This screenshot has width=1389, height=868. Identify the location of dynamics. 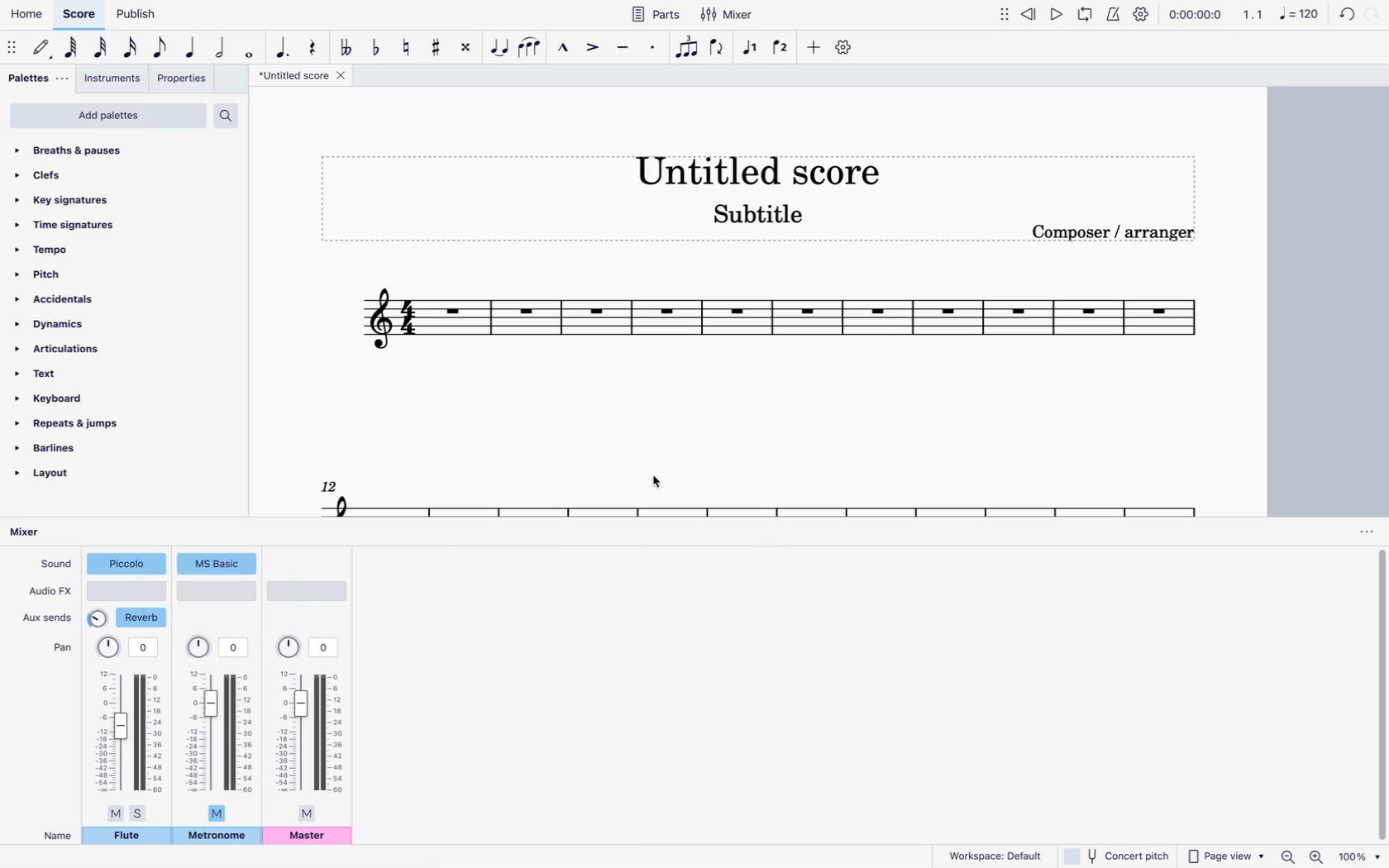
(59, 325).